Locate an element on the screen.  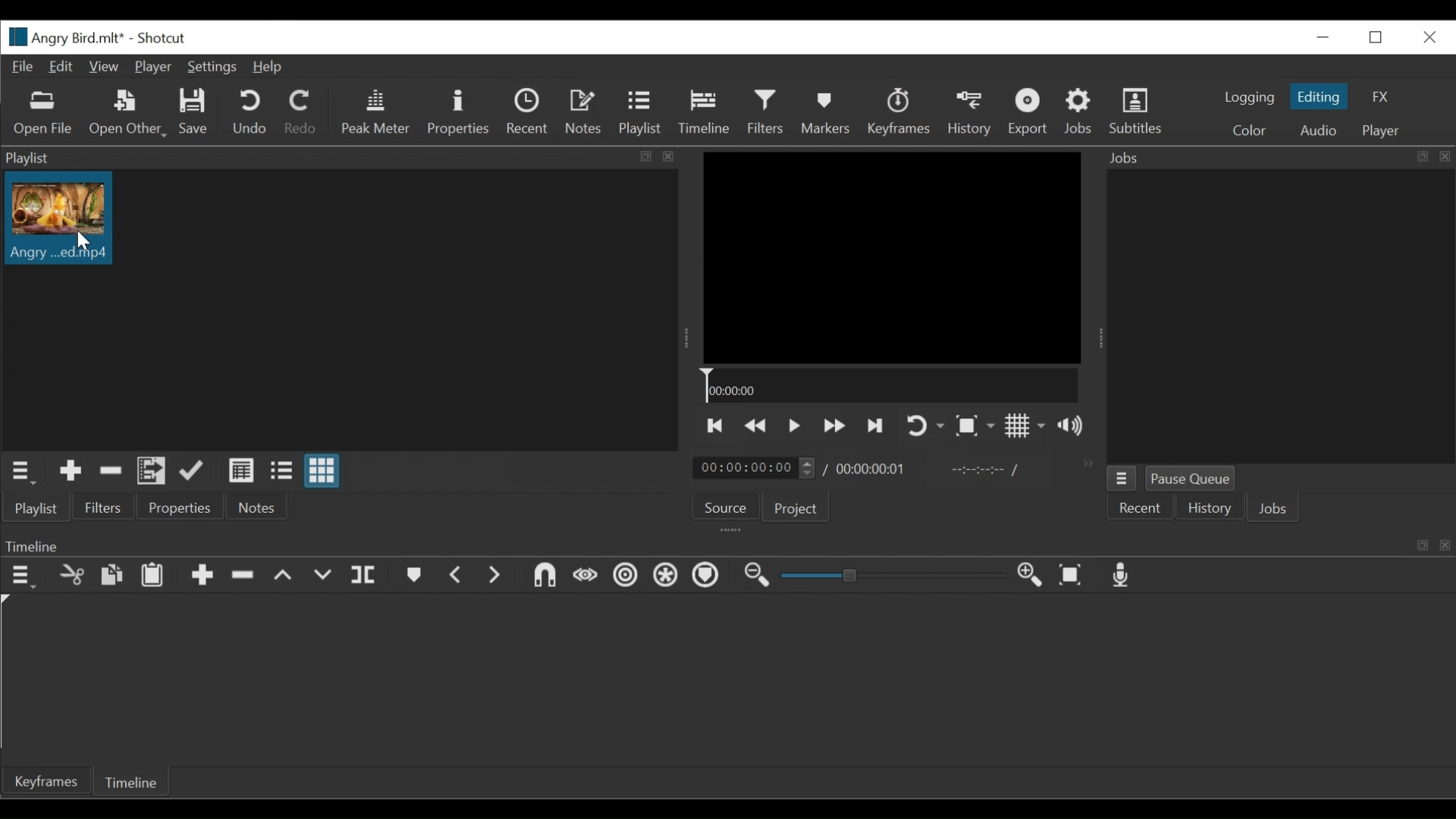
Markers is located at coordinates (827, 111).